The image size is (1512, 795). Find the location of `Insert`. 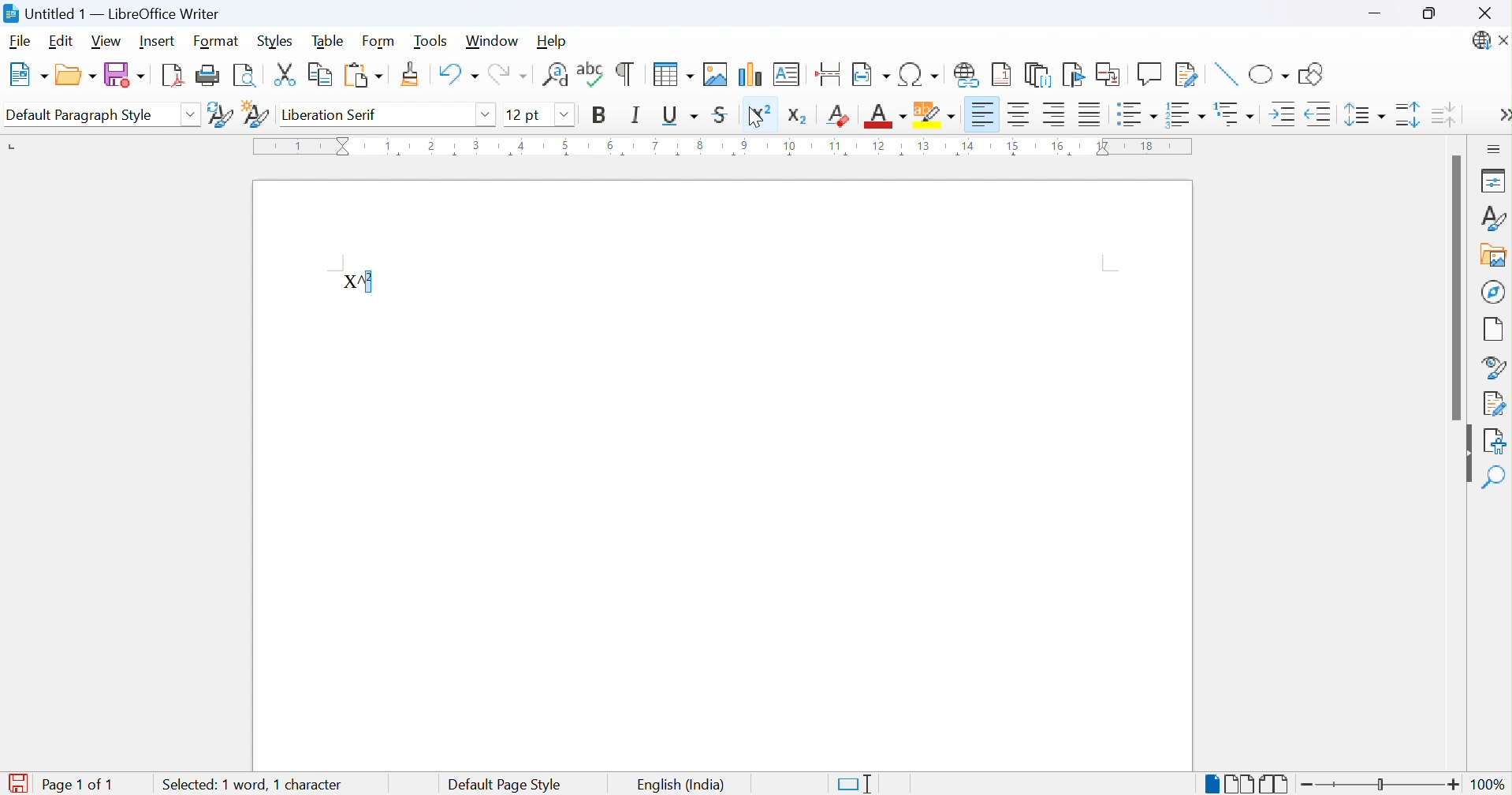

Insert is located at coordinates (157, 39).